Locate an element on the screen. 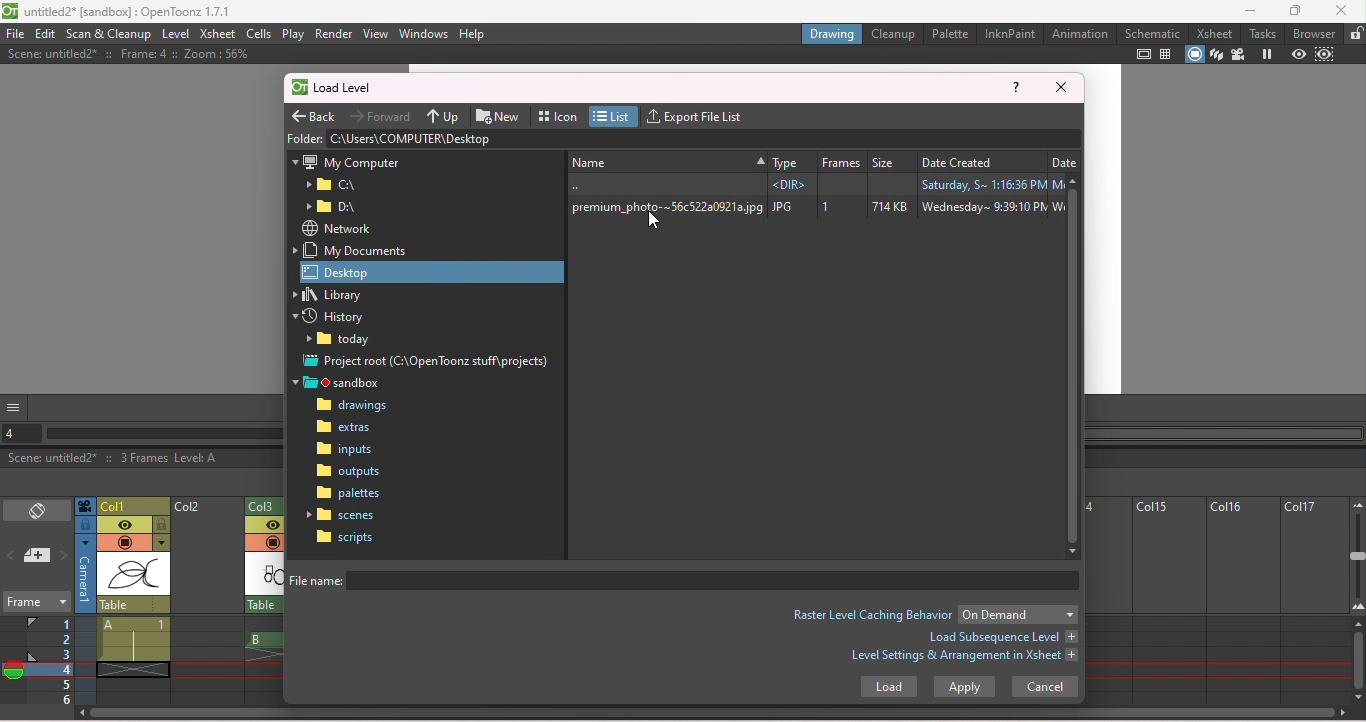 The image size is (1366, 722). View is located at coordinates (376, 33).